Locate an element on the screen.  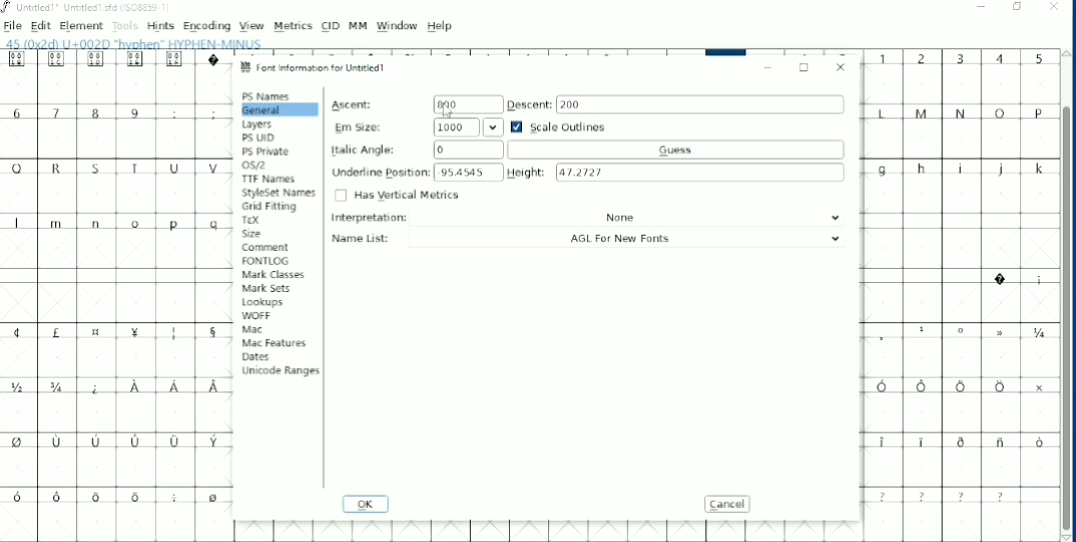
PS Names is located at coordinates (267, 96).